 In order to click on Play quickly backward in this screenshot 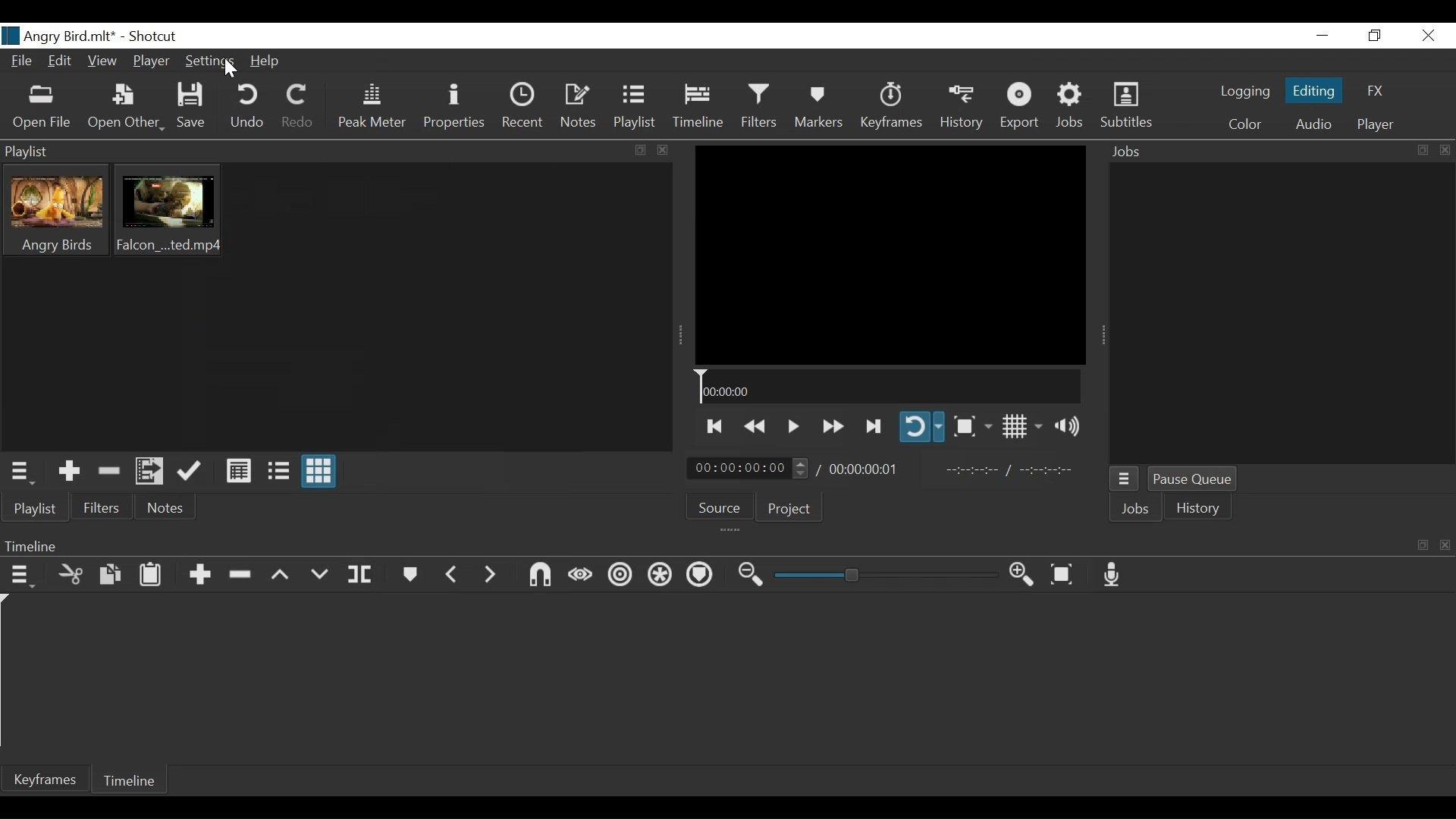, I will do `click(756, 426)`.